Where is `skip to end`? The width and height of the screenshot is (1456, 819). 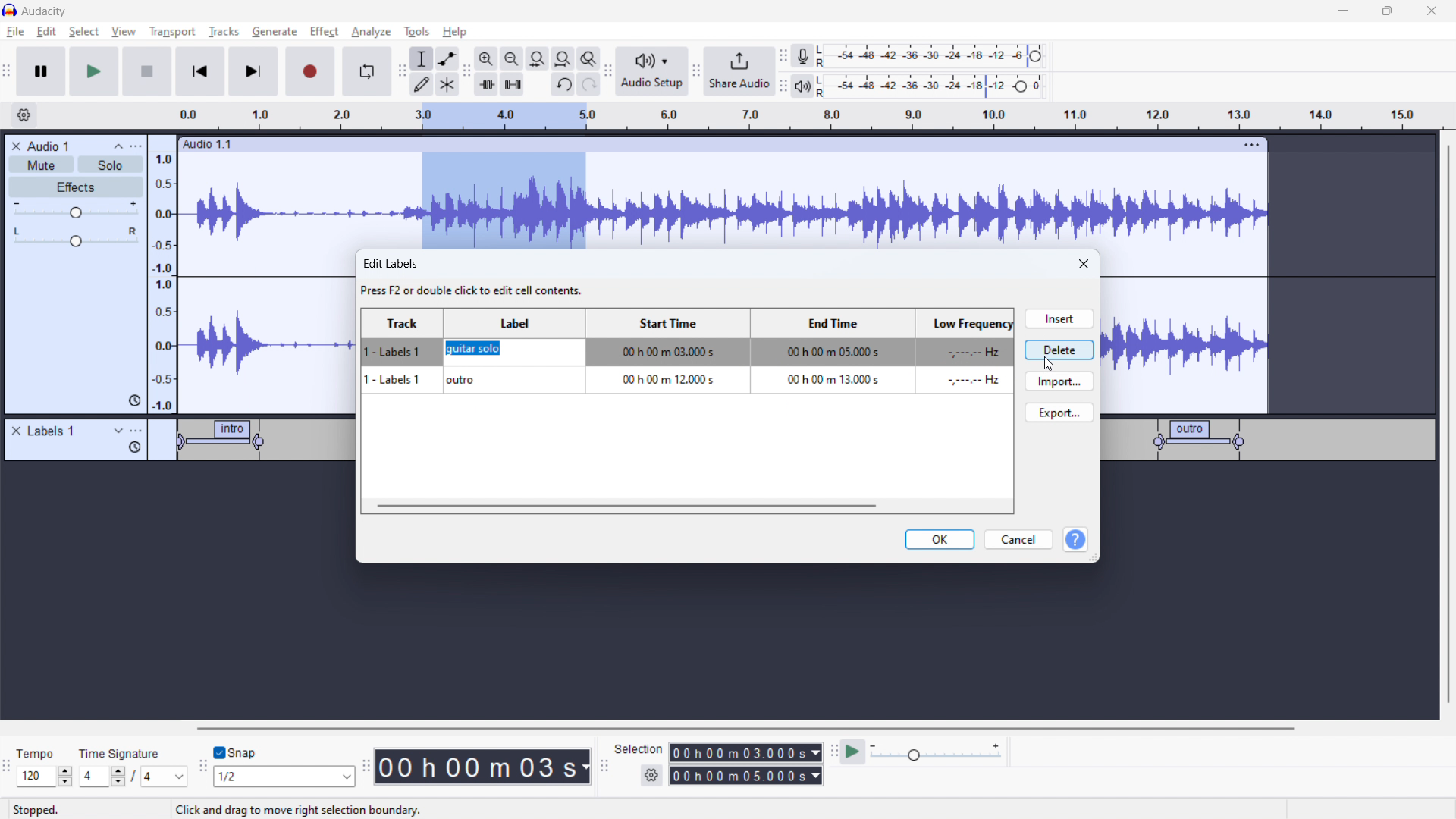
skip to end is located at coordinates (258, 71).